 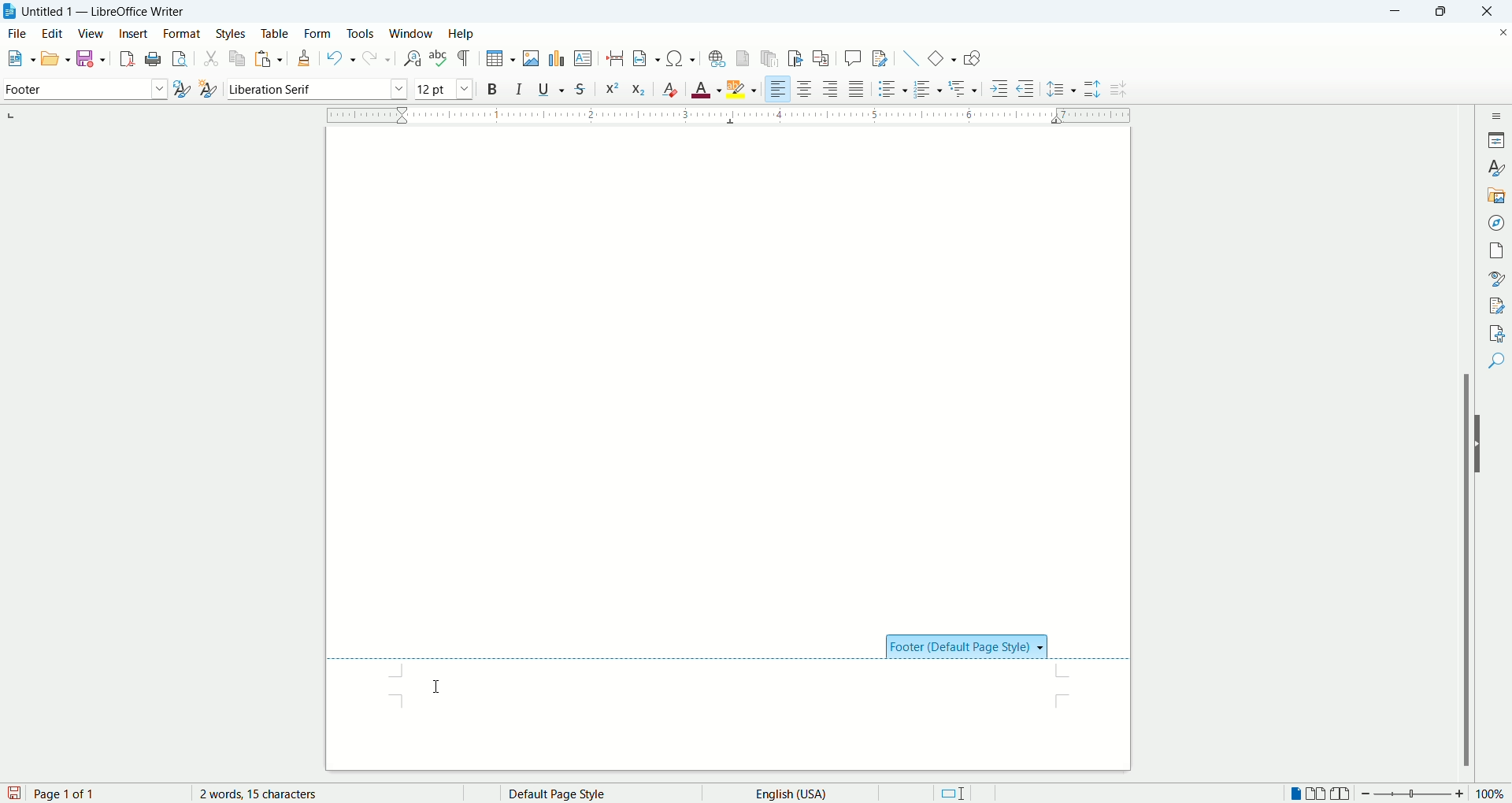 What do you see at coordinates (318, 32) in the screenshot?
I see `form` at bounding box center [318, 32].